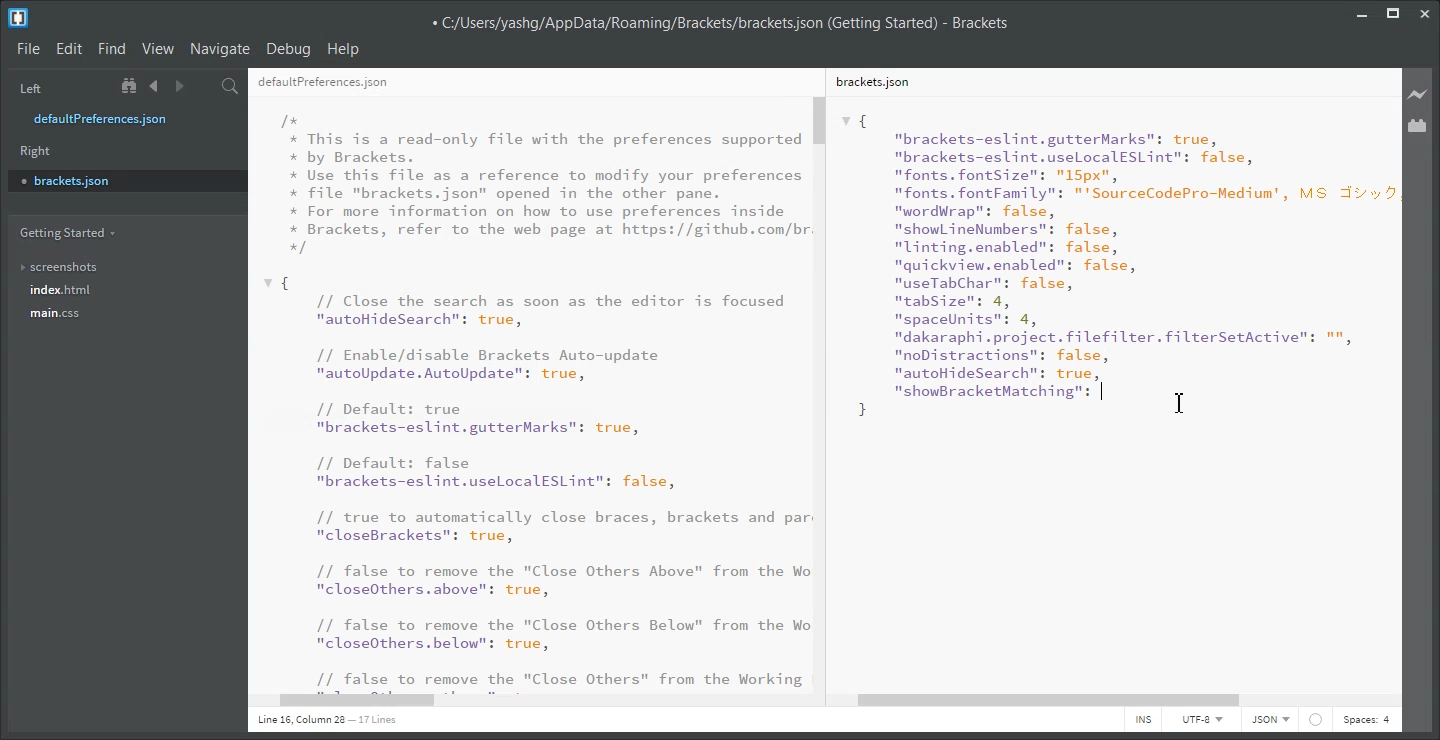 Image resolution: width=1440 pixels, height=740 pixels. What do you see at coordinates (60, 263) in the screenshot?
I see `screenshots` at bounding box center [60, 263].